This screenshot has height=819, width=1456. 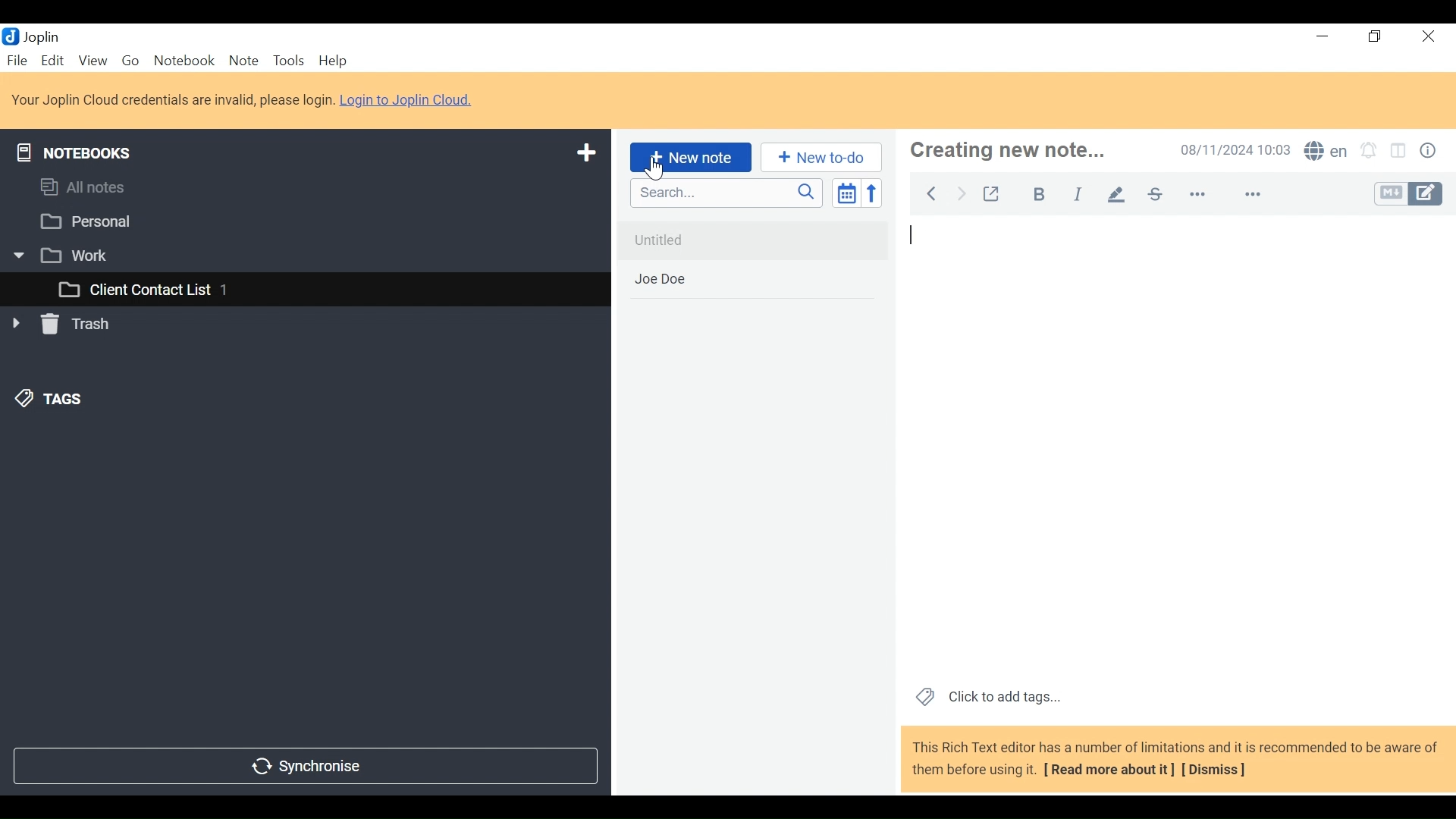 I want to click on minimize, so click(x=1319, y=36).